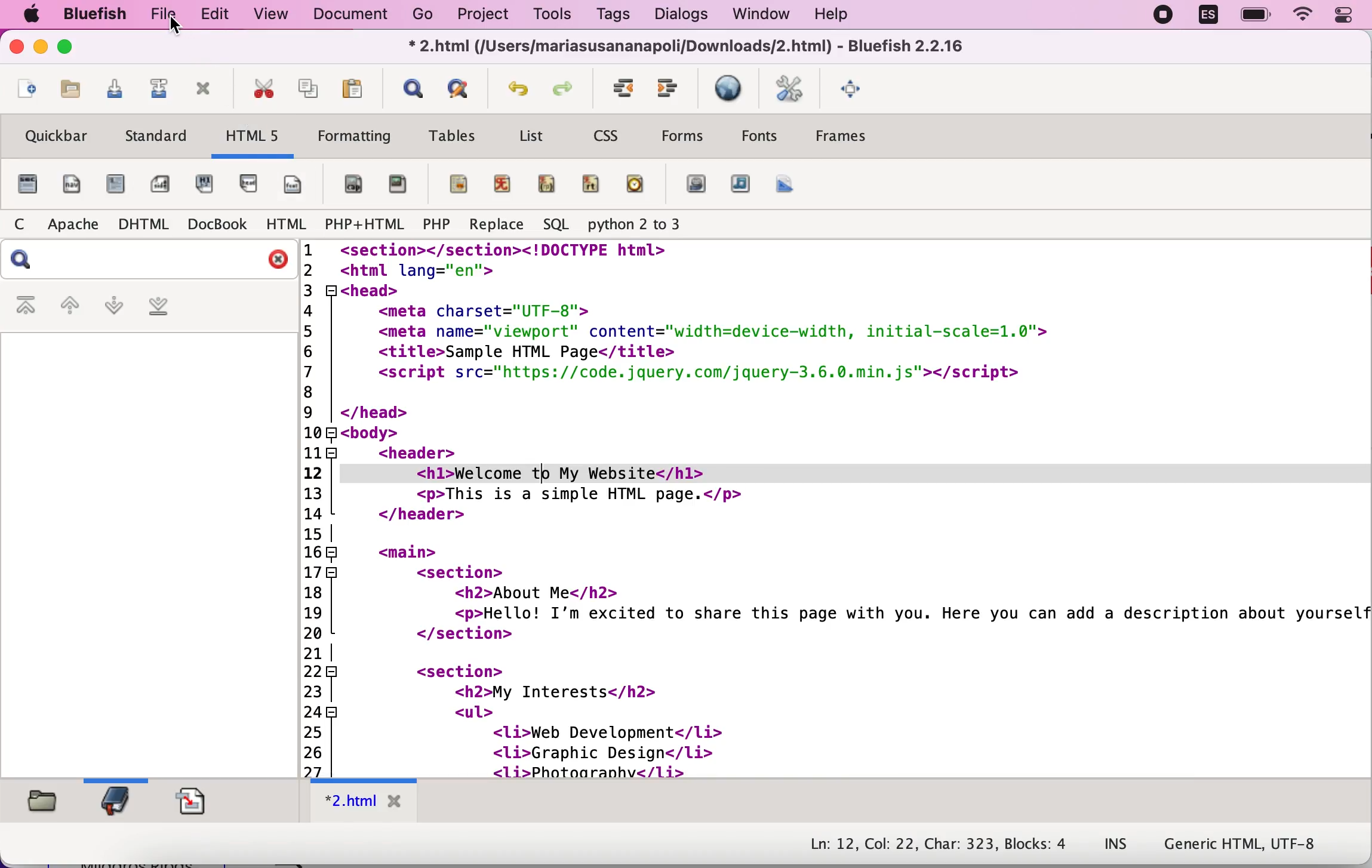 The height and width of the screenshot is (868, 1372). I want to click on edit preferences, so click(790, 85).